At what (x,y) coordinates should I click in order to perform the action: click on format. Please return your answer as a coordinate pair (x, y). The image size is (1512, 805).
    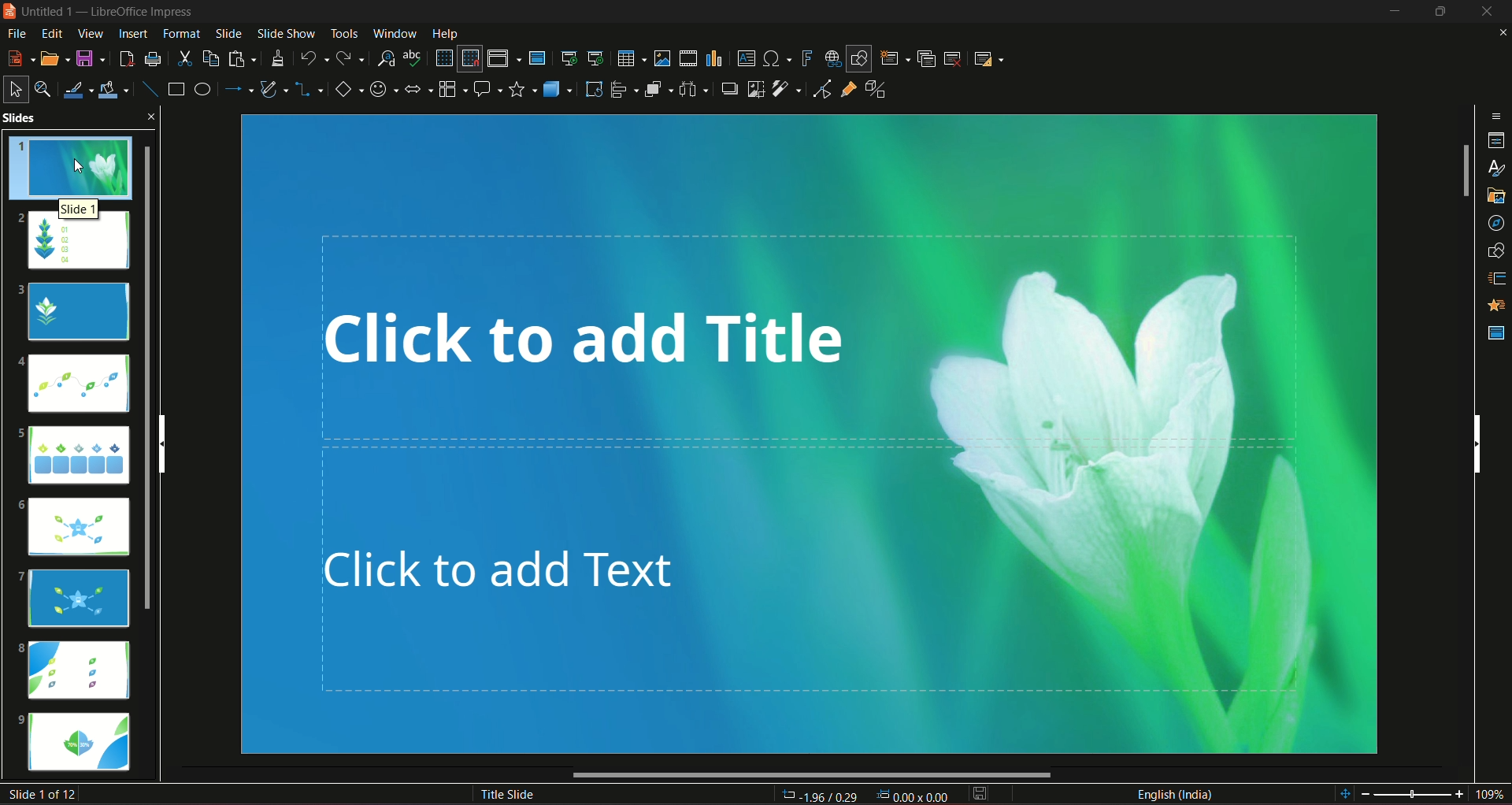
    Looking at the image, I should click on (181, 33).